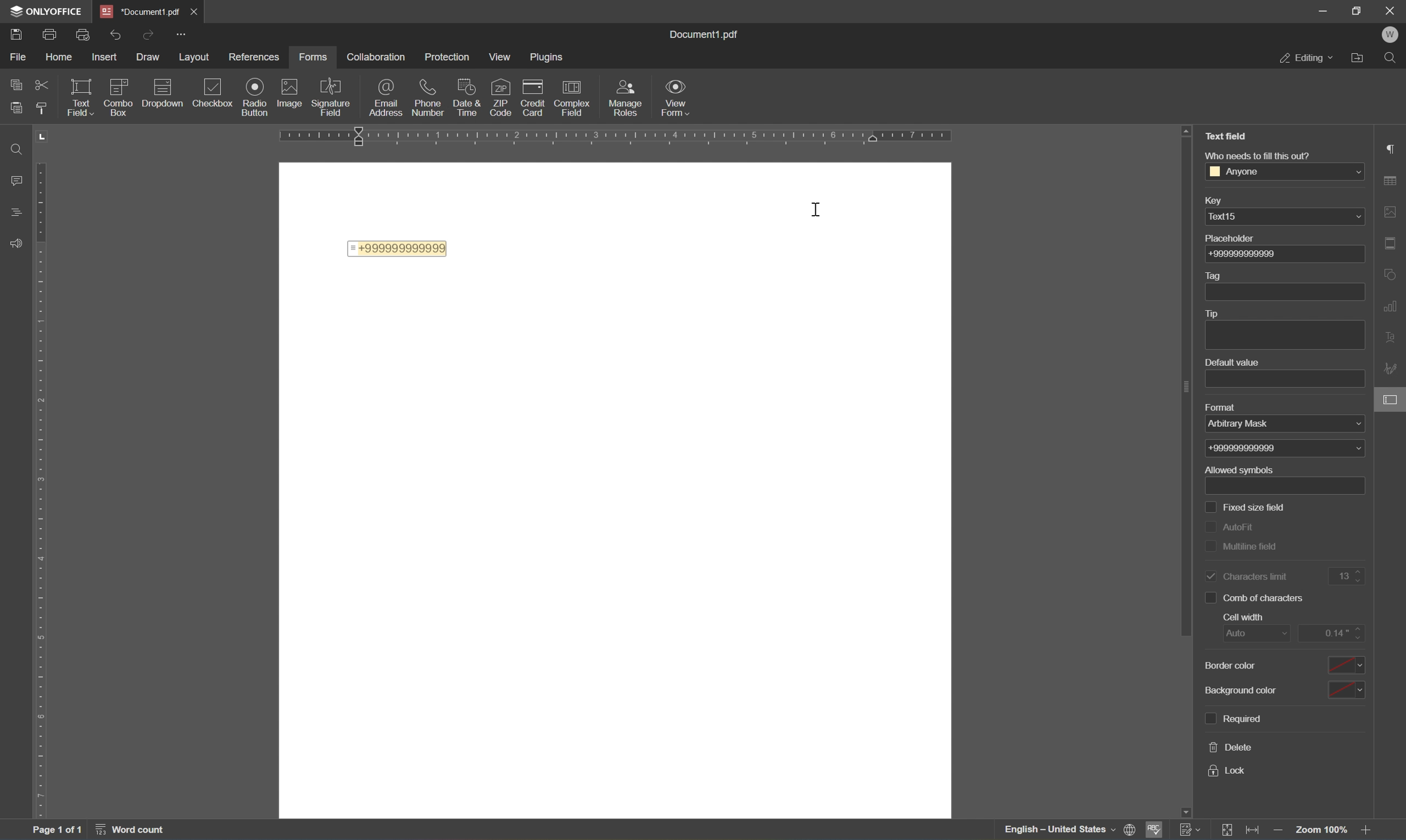 The image size is (1406, 840). Describe the element at coordinates (149, 35) in the screenshot. I see `redo` at that location.